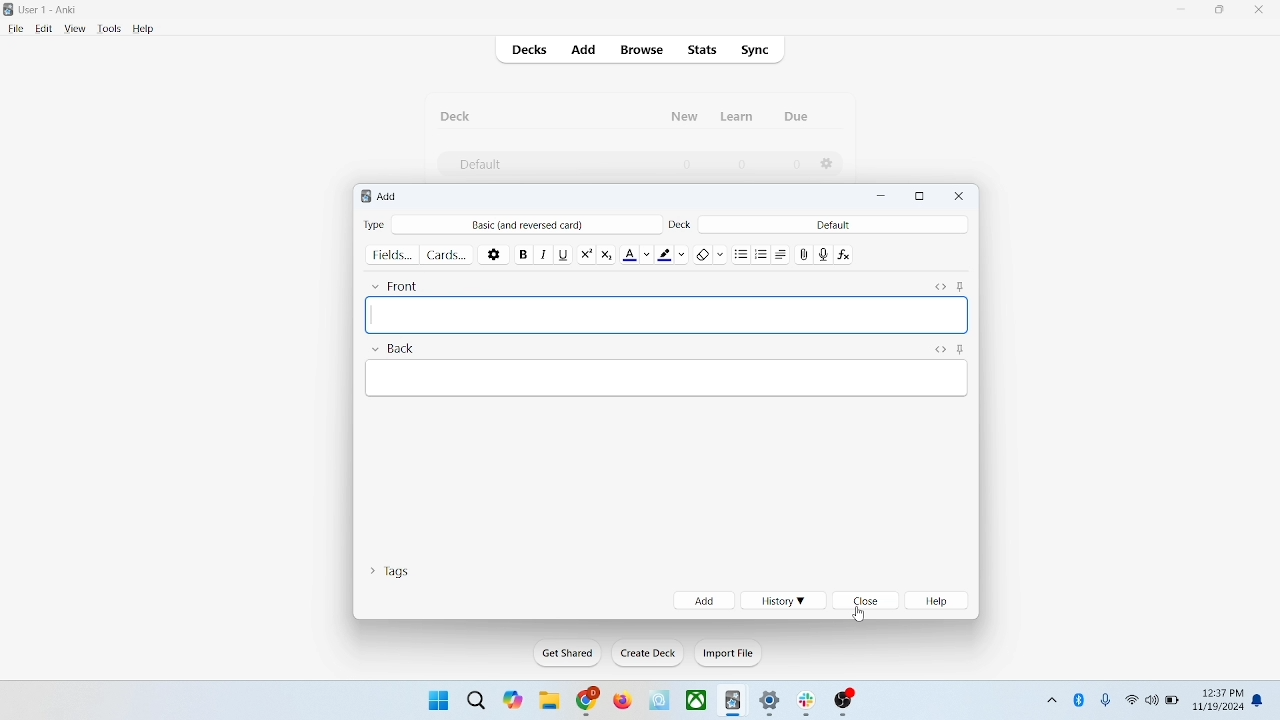 This screenshot has height=720, width=1280. Describe the element at coordinates (676, 253) in the screenshot. I see `text highlight color` at that location.